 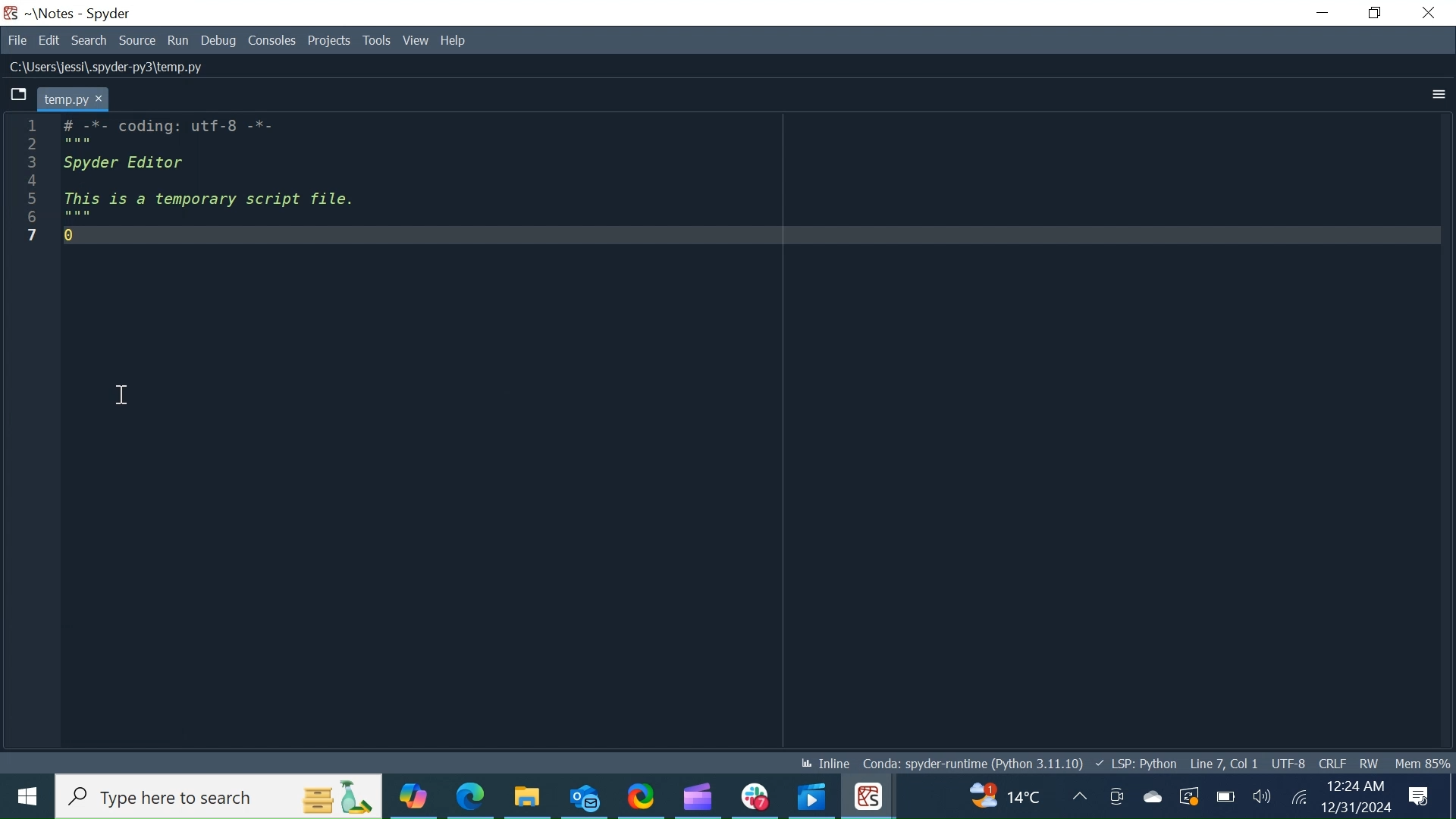 What do you see at coordinates (1419, 795) in the screenshot?
I see `Notification` at bounding box center [1419, 795].